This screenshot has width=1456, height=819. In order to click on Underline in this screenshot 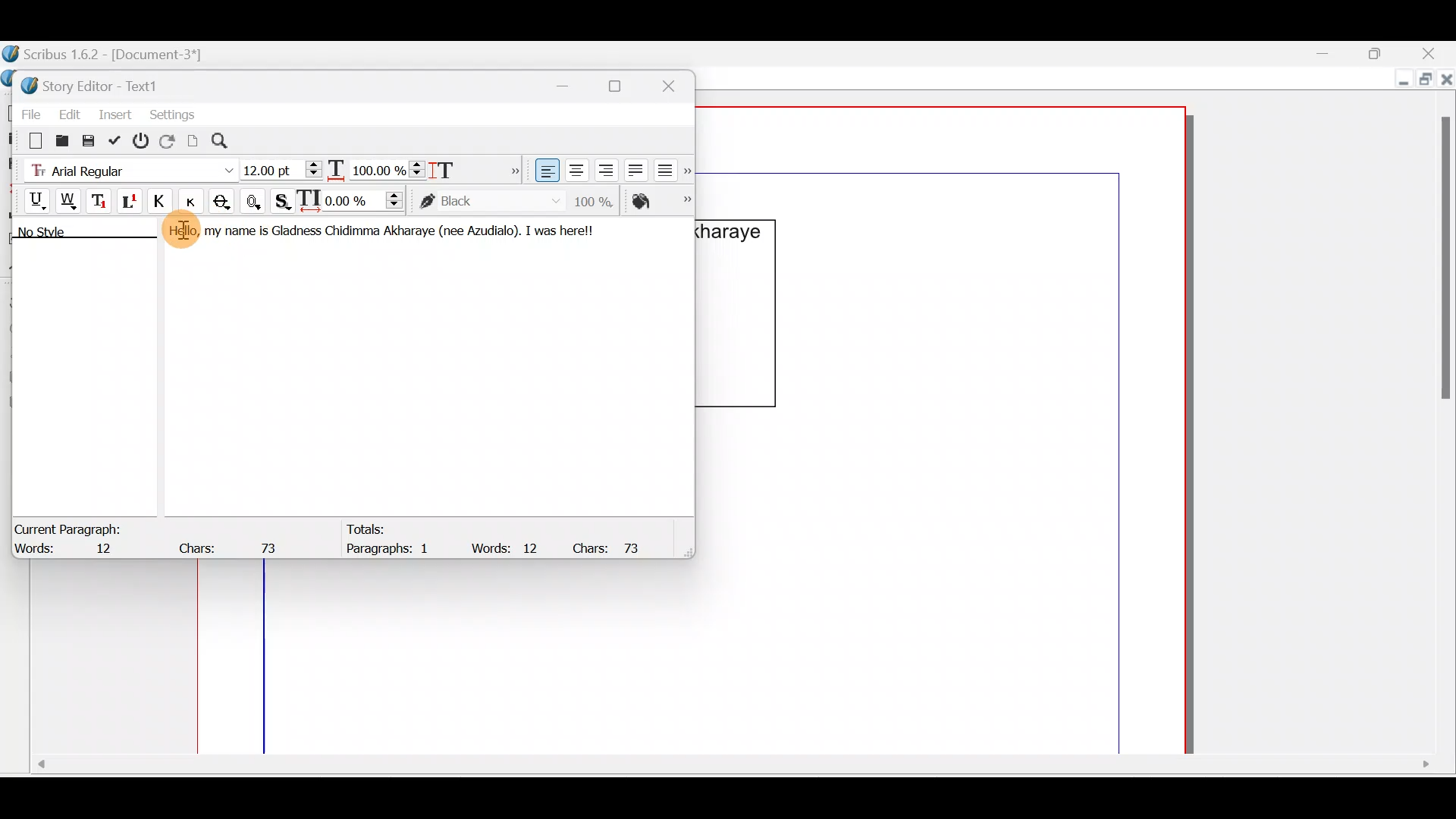, I will do `click(30, 199)`.